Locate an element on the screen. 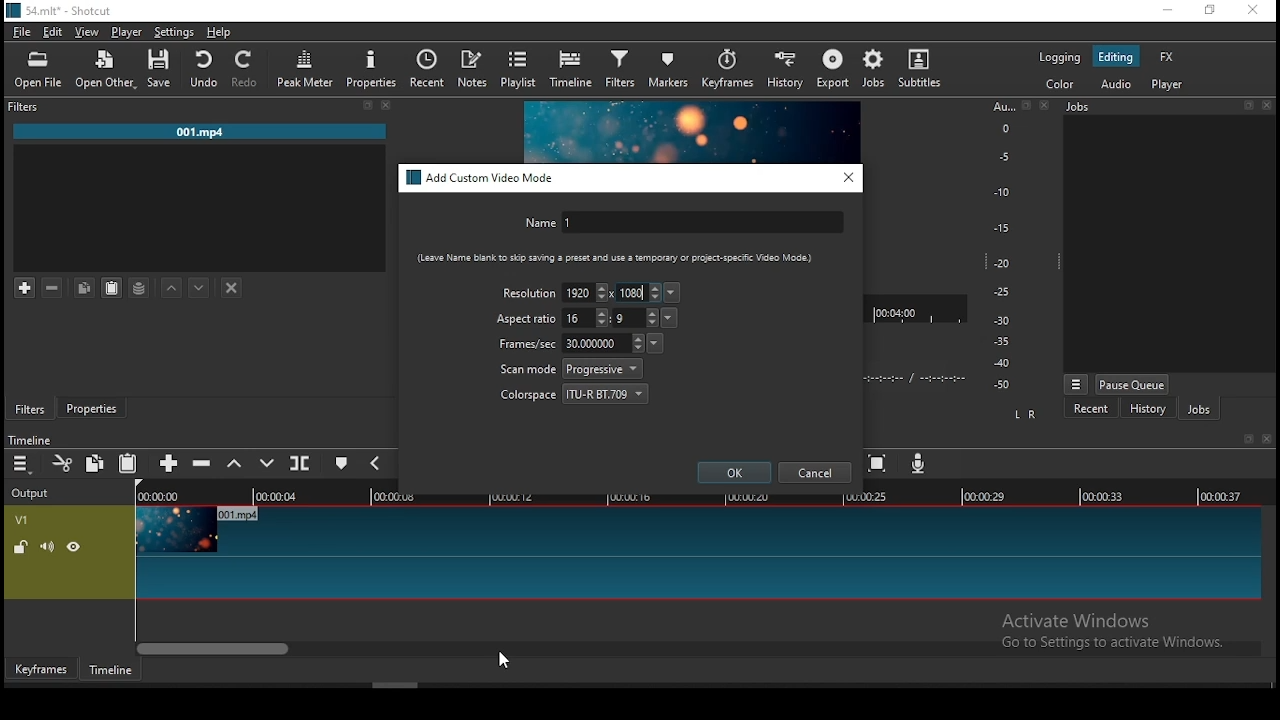  timeline is located at coordinates (573, 69).